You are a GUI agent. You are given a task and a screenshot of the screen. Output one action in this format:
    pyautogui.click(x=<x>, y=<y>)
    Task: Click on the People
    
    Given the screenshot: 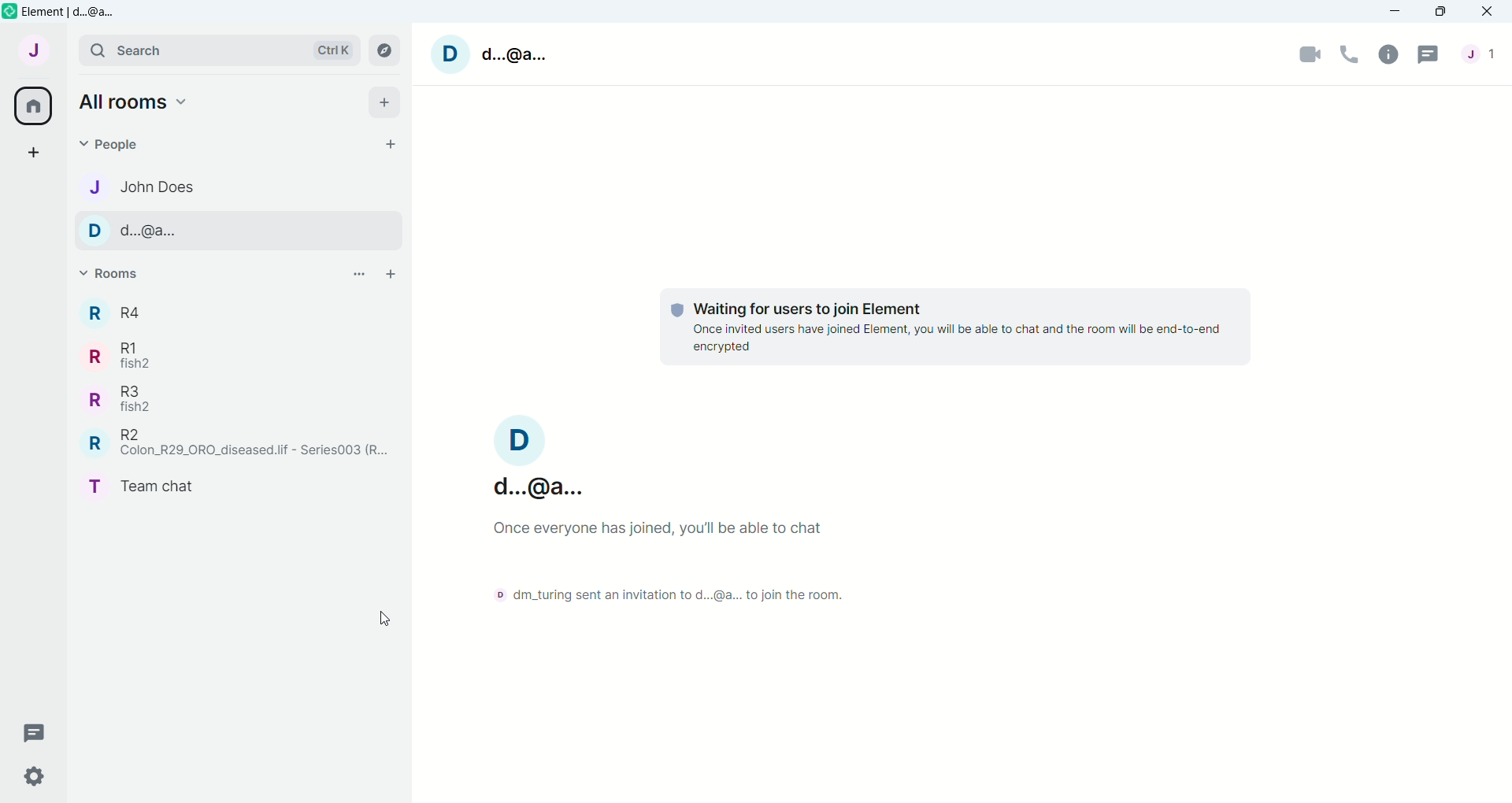 What is the action you would take?
    pyautogui.click(x=1483, y=54)
    